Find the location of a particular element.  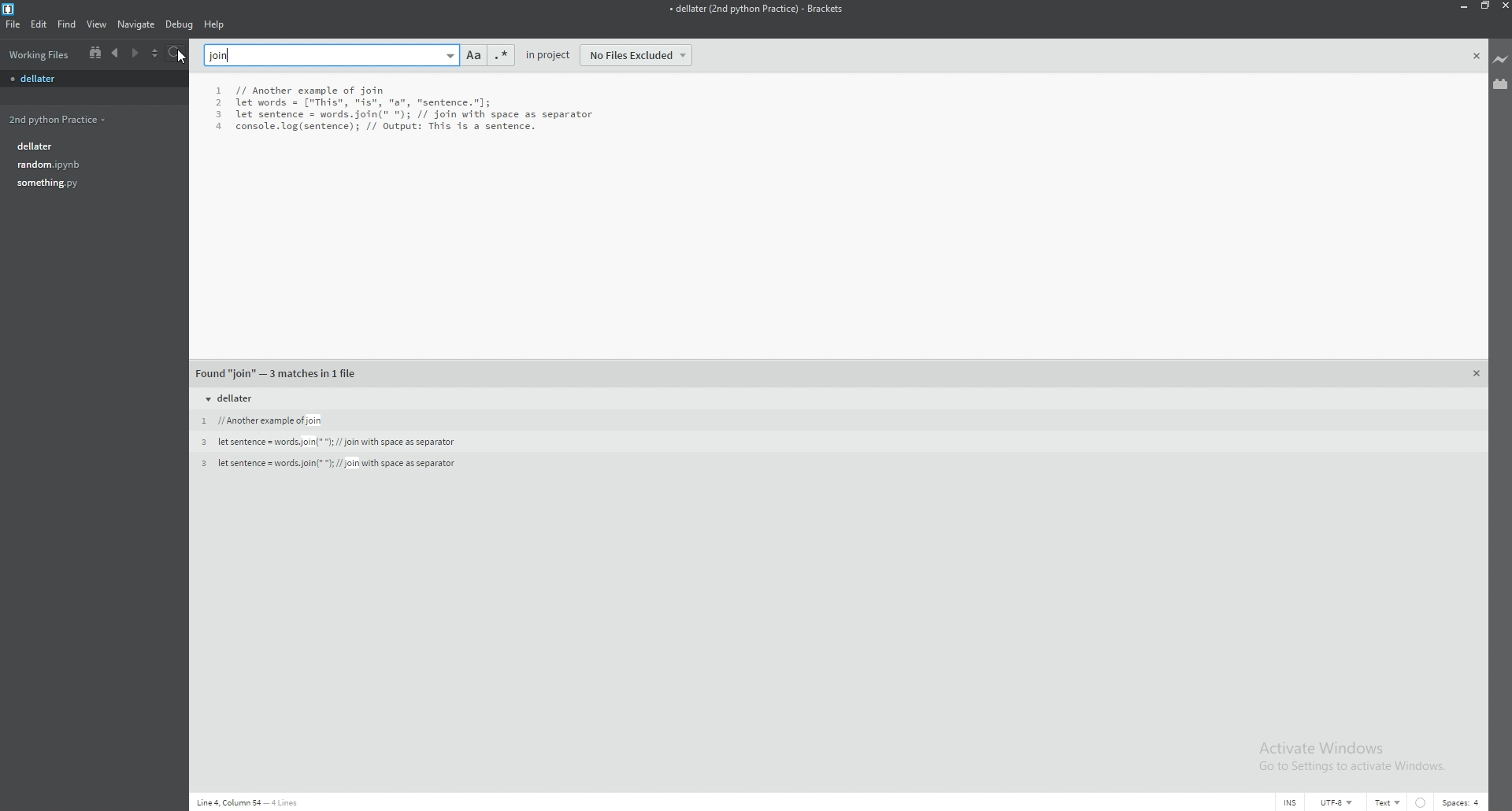

resize is located at coordinates (1486, 6).